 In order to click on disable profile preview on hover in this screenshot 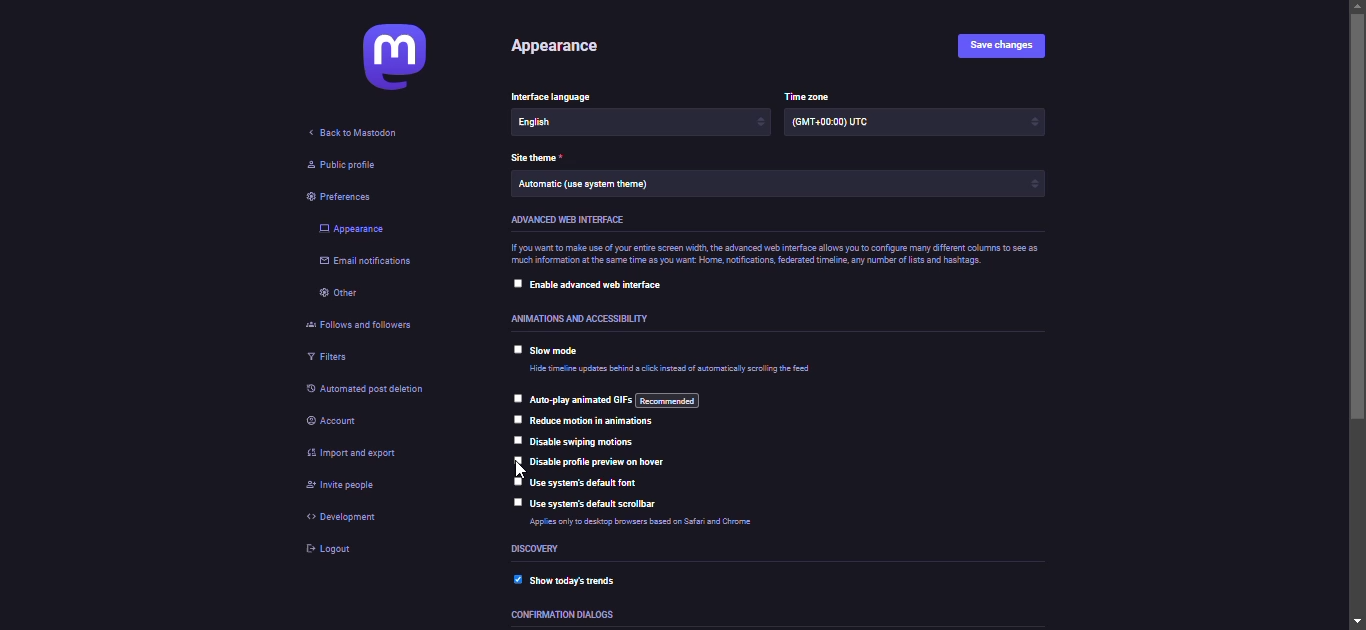, I will do `click(607, 462)`.